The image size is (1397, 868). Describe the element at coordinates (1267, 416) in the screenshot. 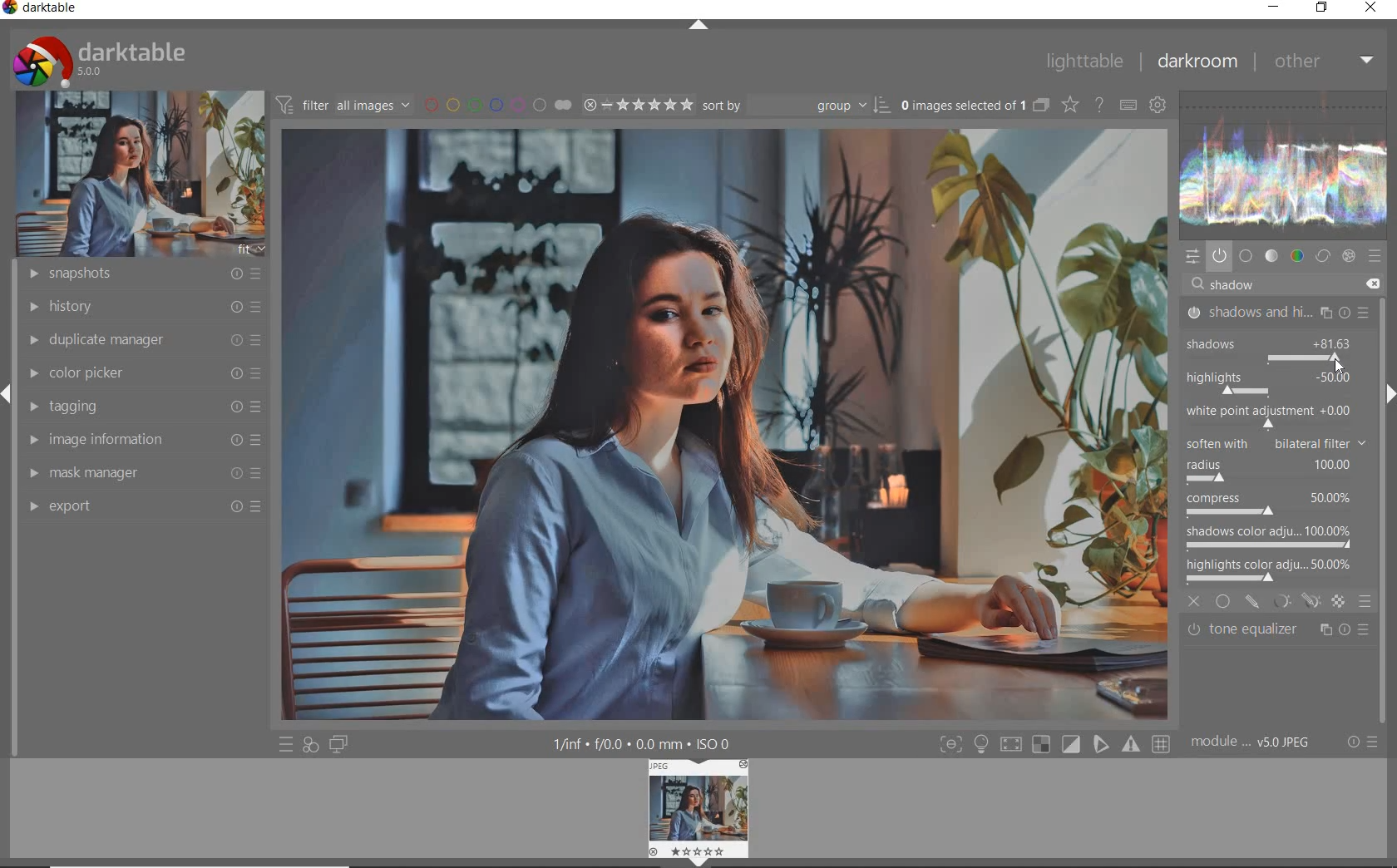

I see `white point adjustment` at that location.